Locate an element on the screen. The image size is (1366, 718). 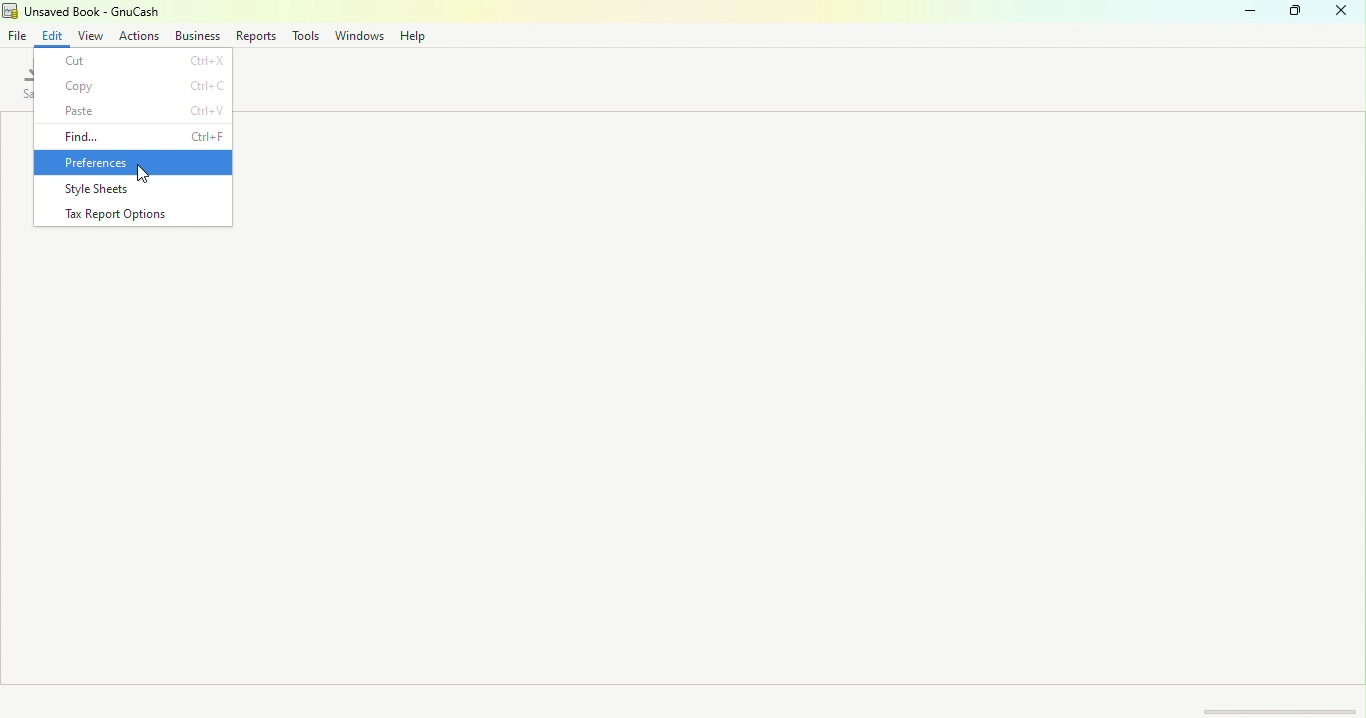
Copy is located at coordinates (133, 85).